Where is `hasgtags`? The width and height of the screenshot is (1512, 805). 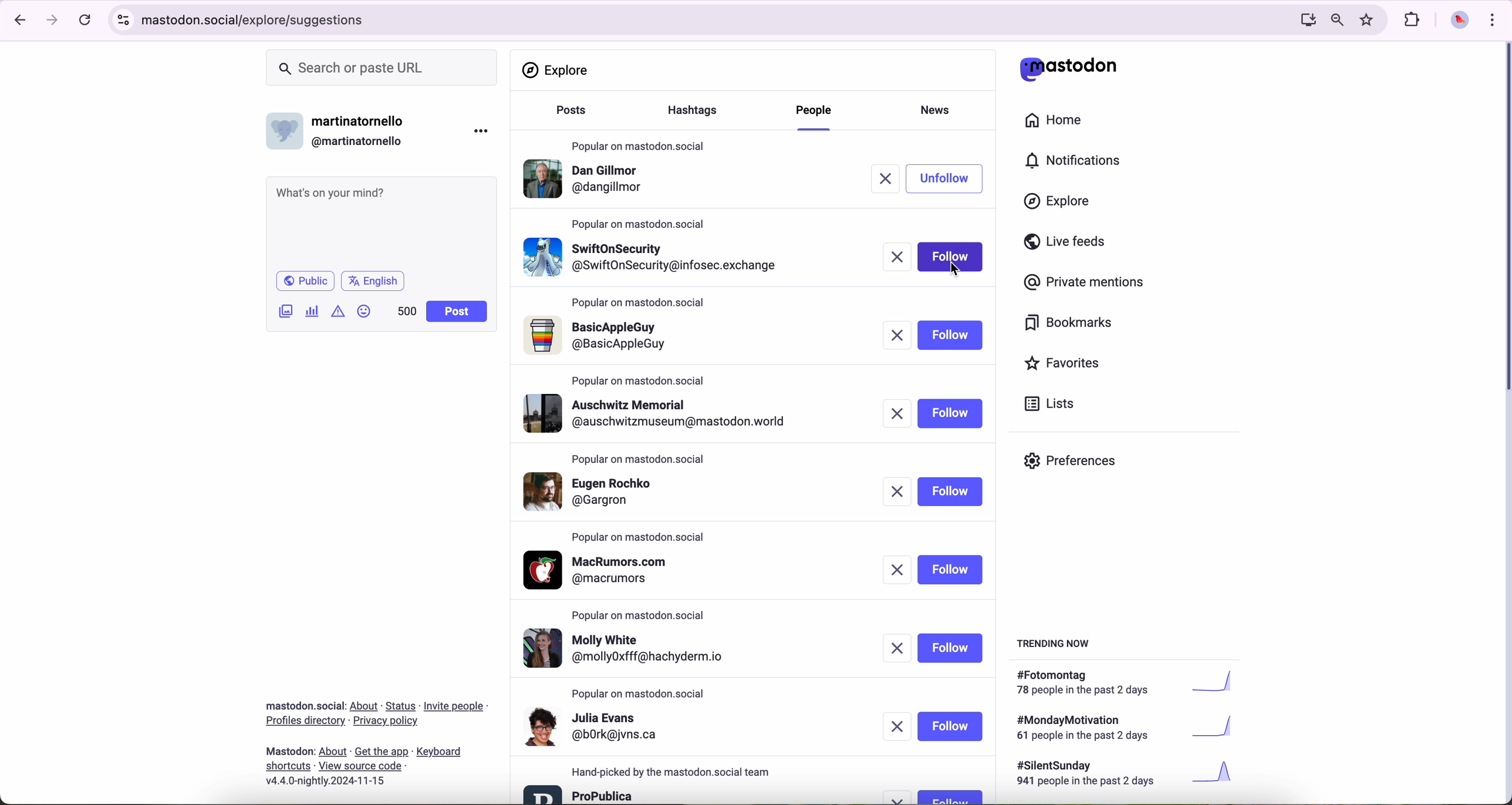 hasgtags is located at coordinates (699, 112).